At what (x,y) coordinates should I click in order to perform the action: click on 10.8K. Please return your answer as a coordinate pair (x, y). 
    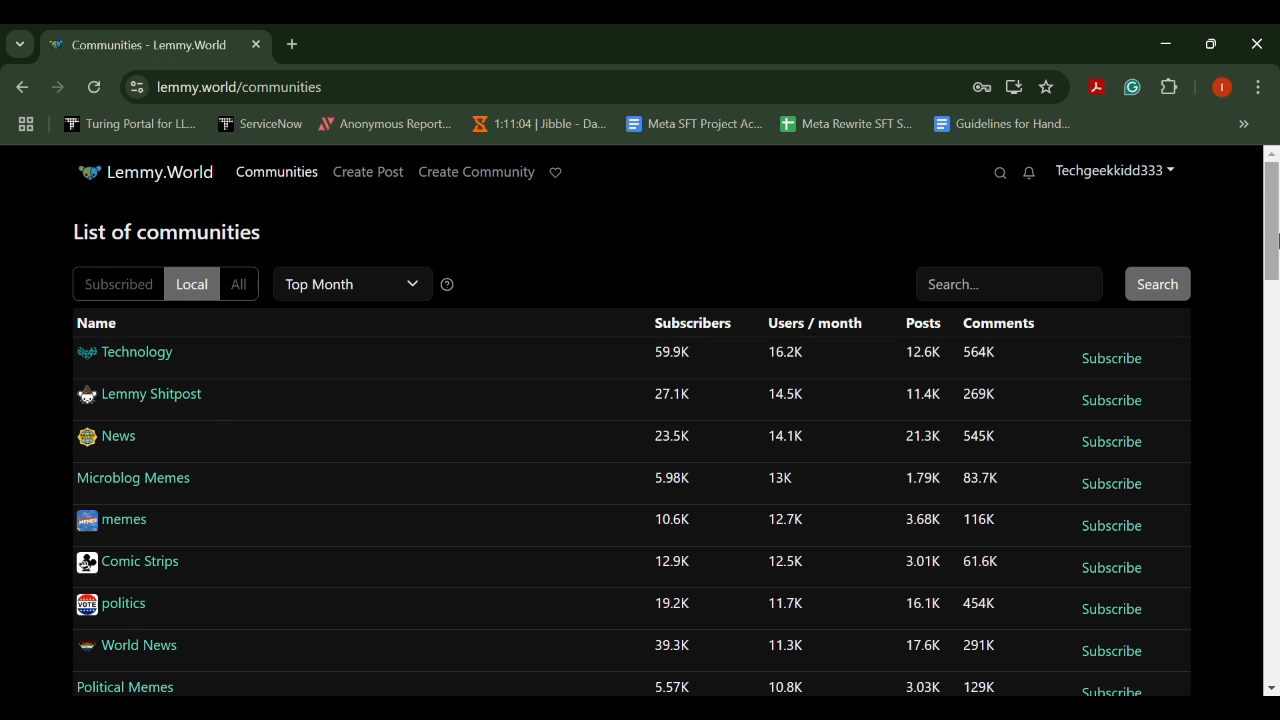
    Looking at the image, I should click on (786, 688).